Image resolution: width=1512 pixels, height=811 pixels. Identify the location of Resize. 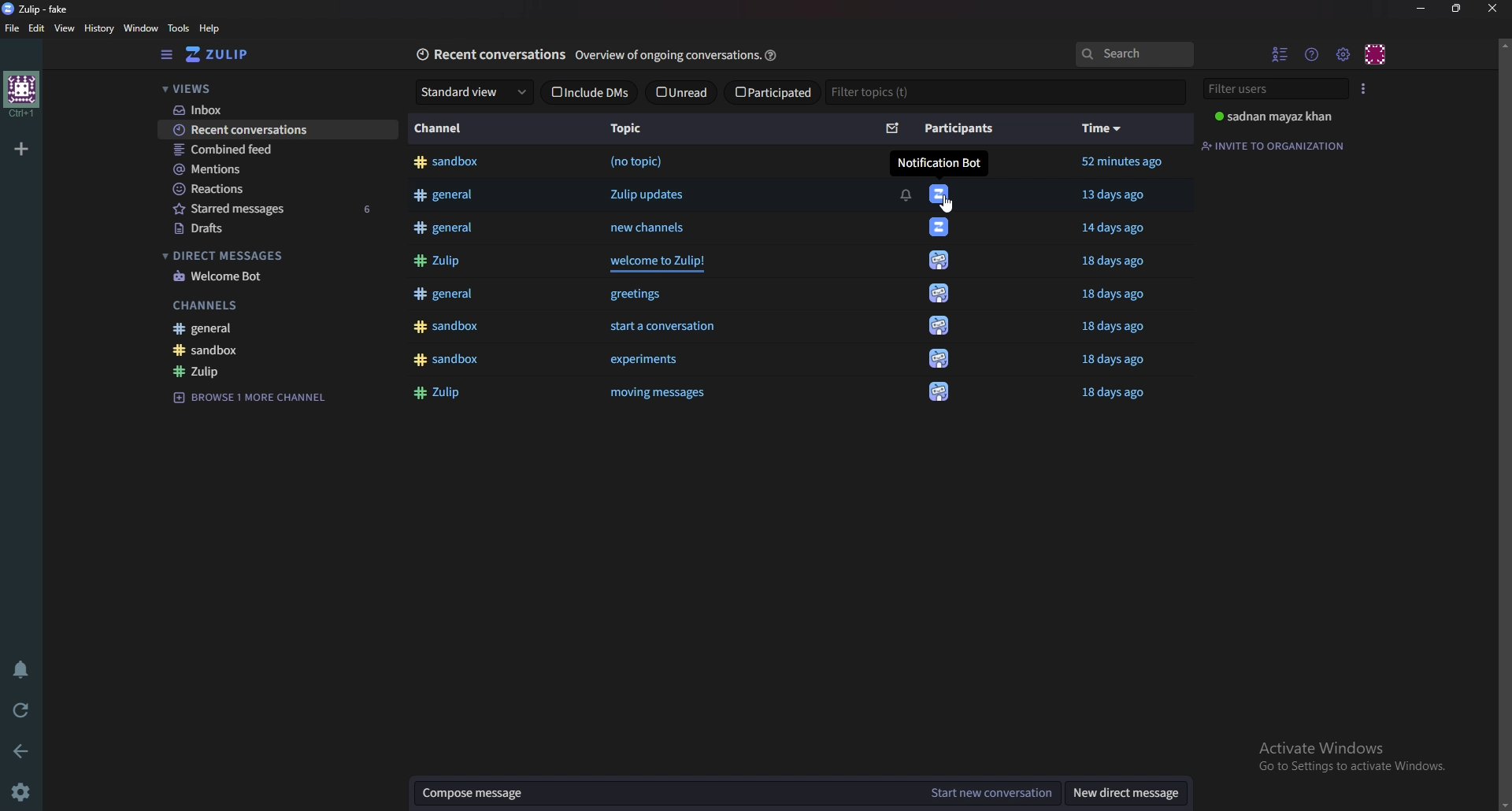
(1456, 9).